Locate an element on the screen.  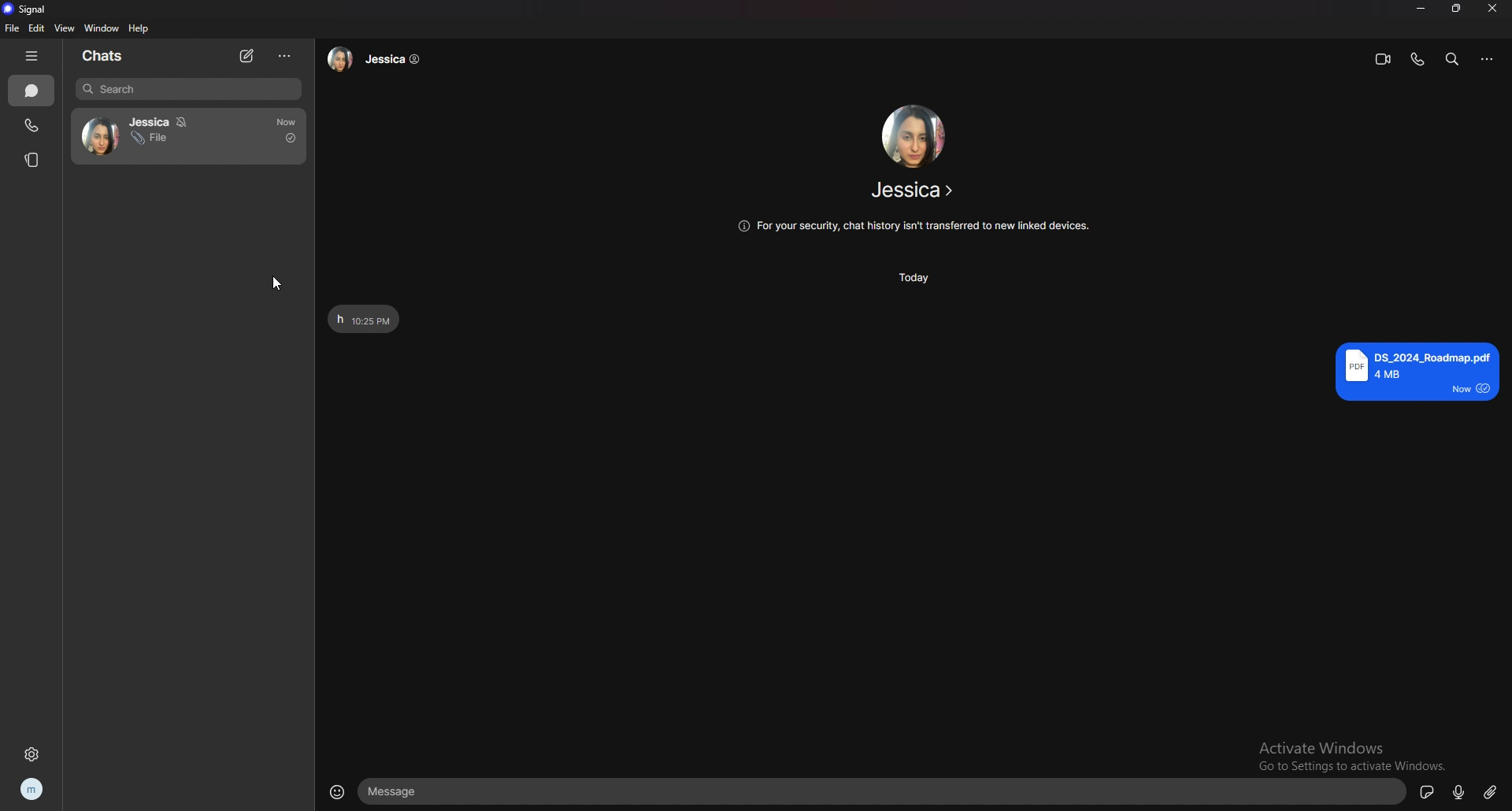
cursor is located at coordinates (279, 278).